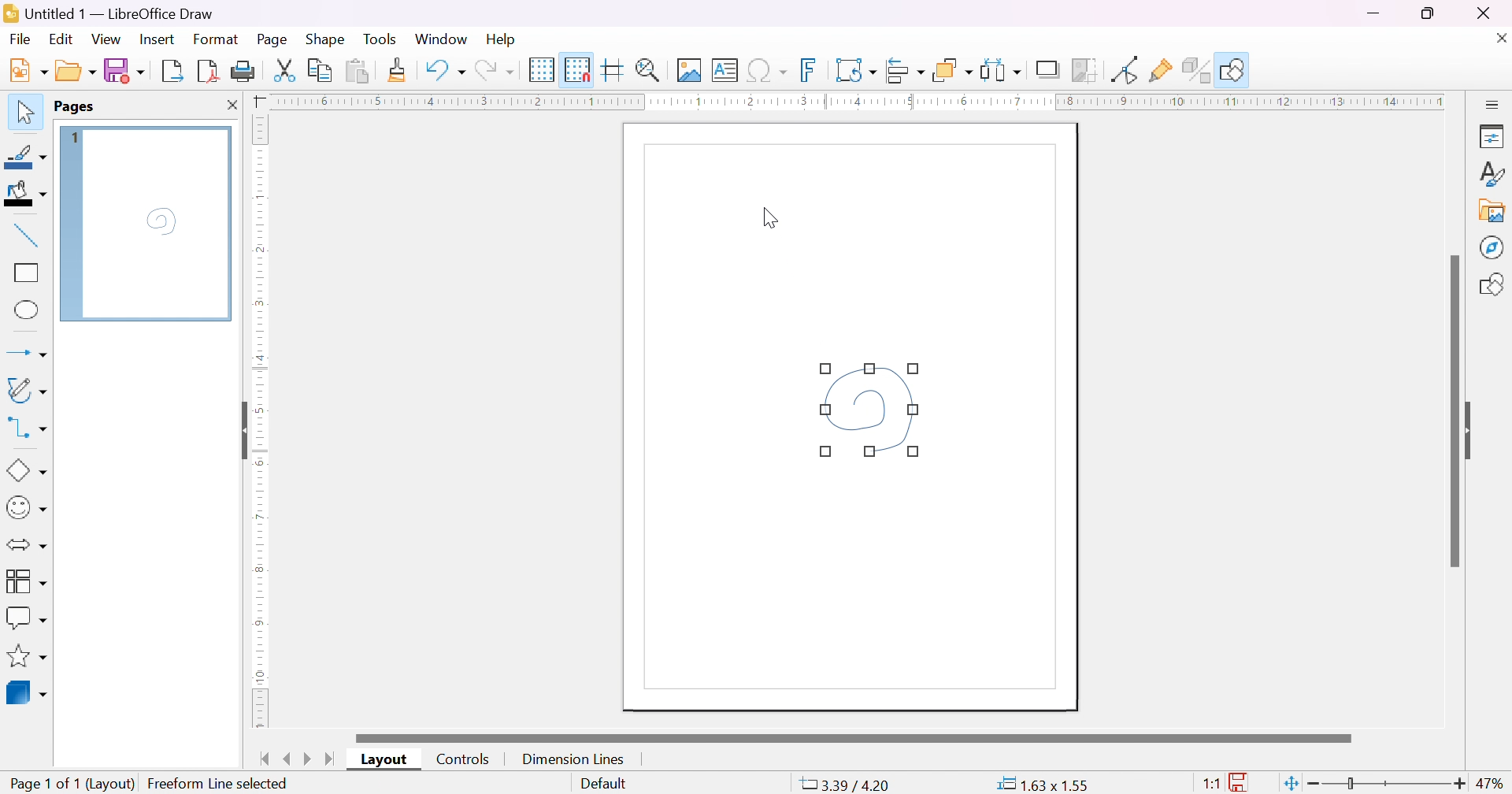 This screenshot has width=1512, height=794. I want to click on insert image, so click(689, 70).